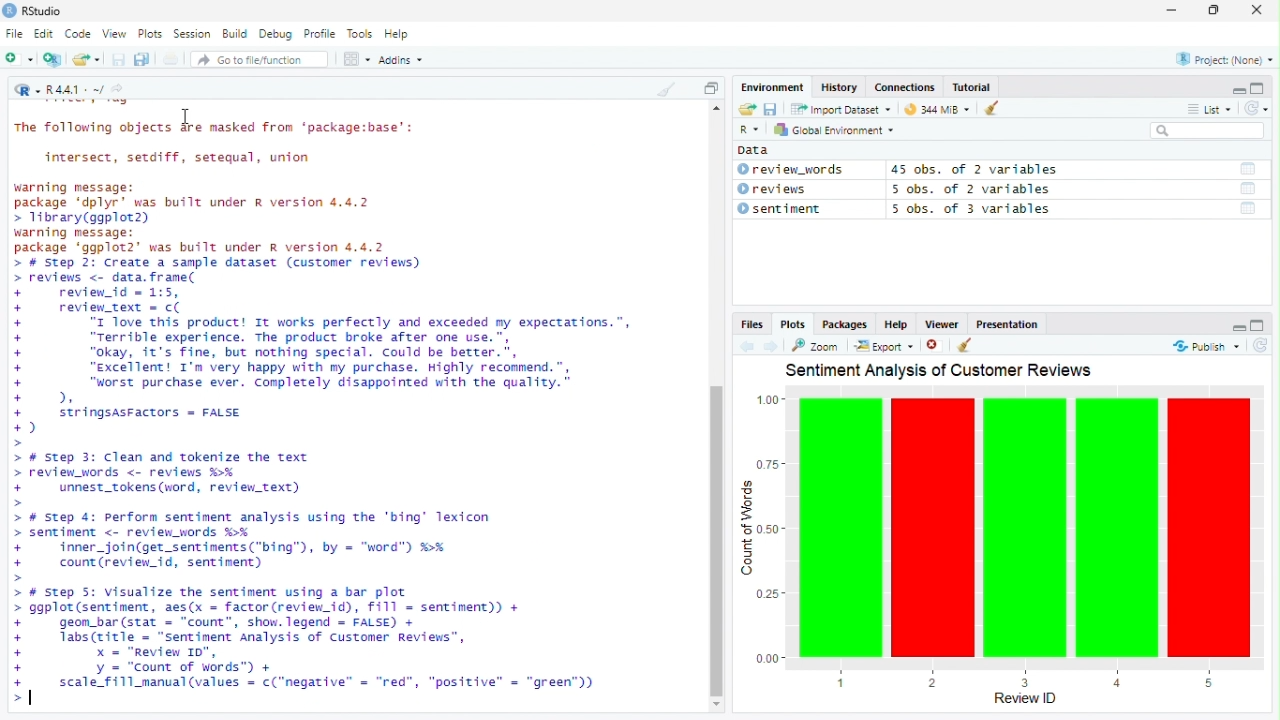 The image size is (1280, 720). Describe the element at coordinates (814, 345) in the screenshot. I see `Zoom` at that location.